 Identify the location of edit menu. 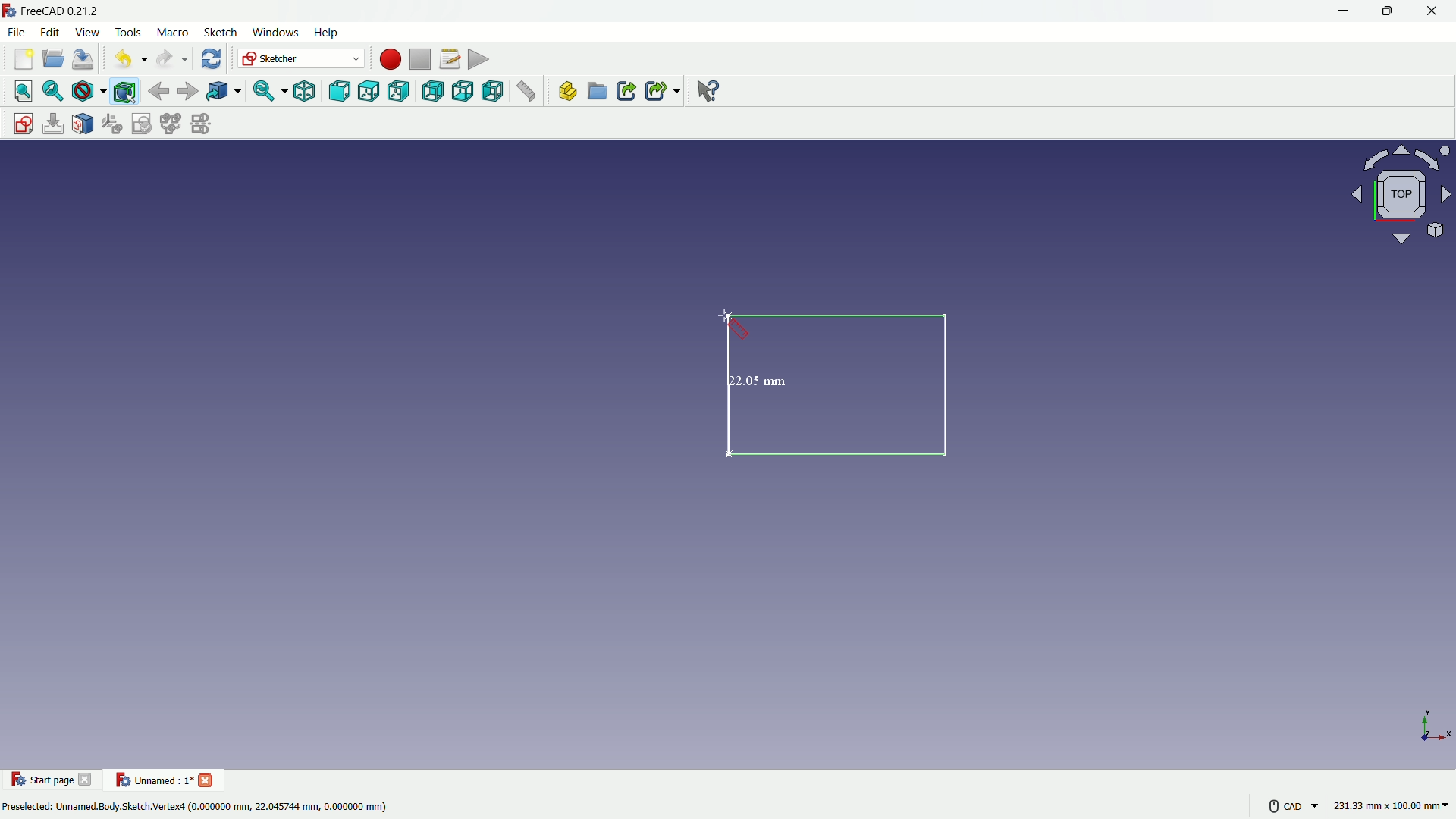
(50, 32).